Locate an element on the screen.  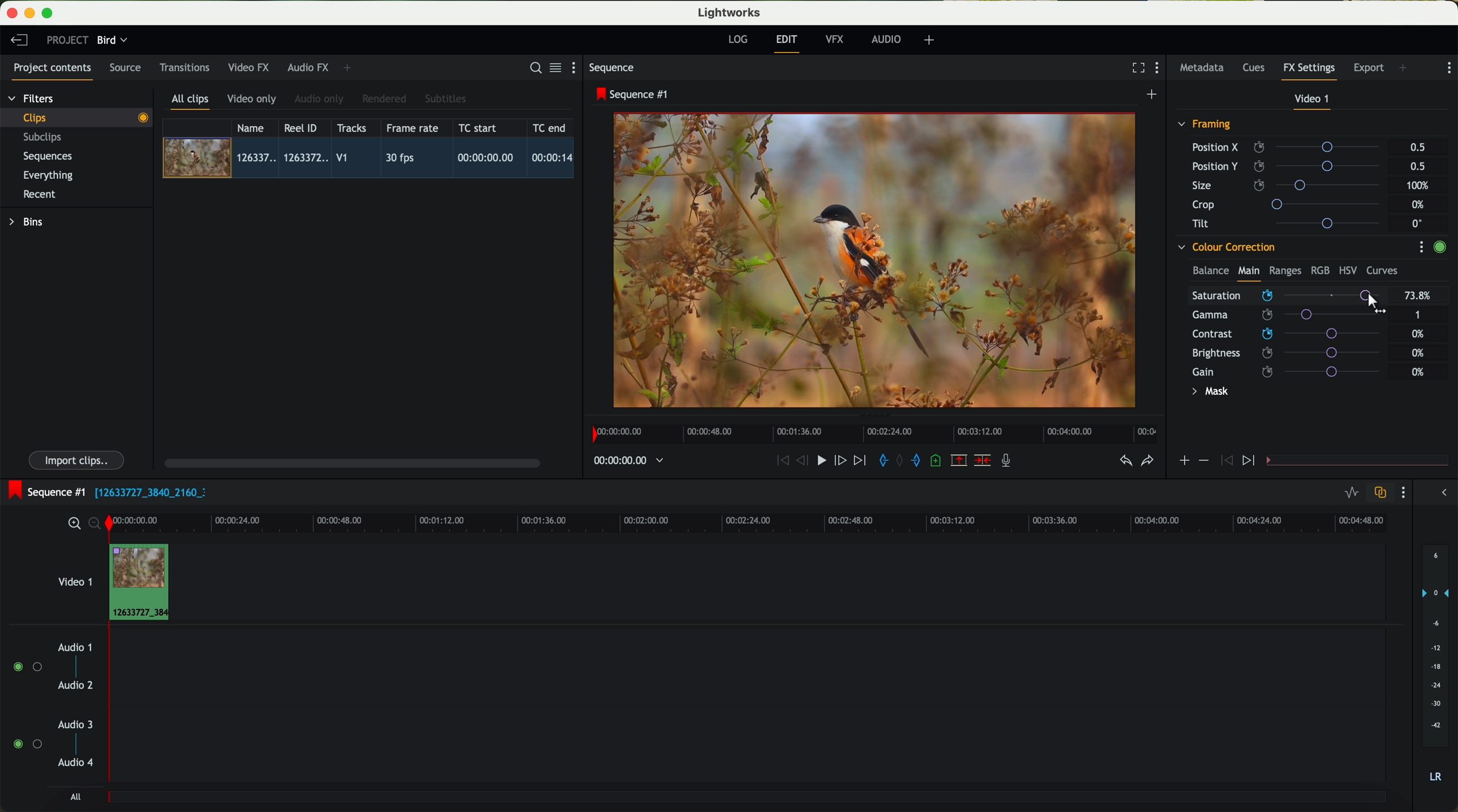
nudge one frame foward is located at coordinates (842, 461).